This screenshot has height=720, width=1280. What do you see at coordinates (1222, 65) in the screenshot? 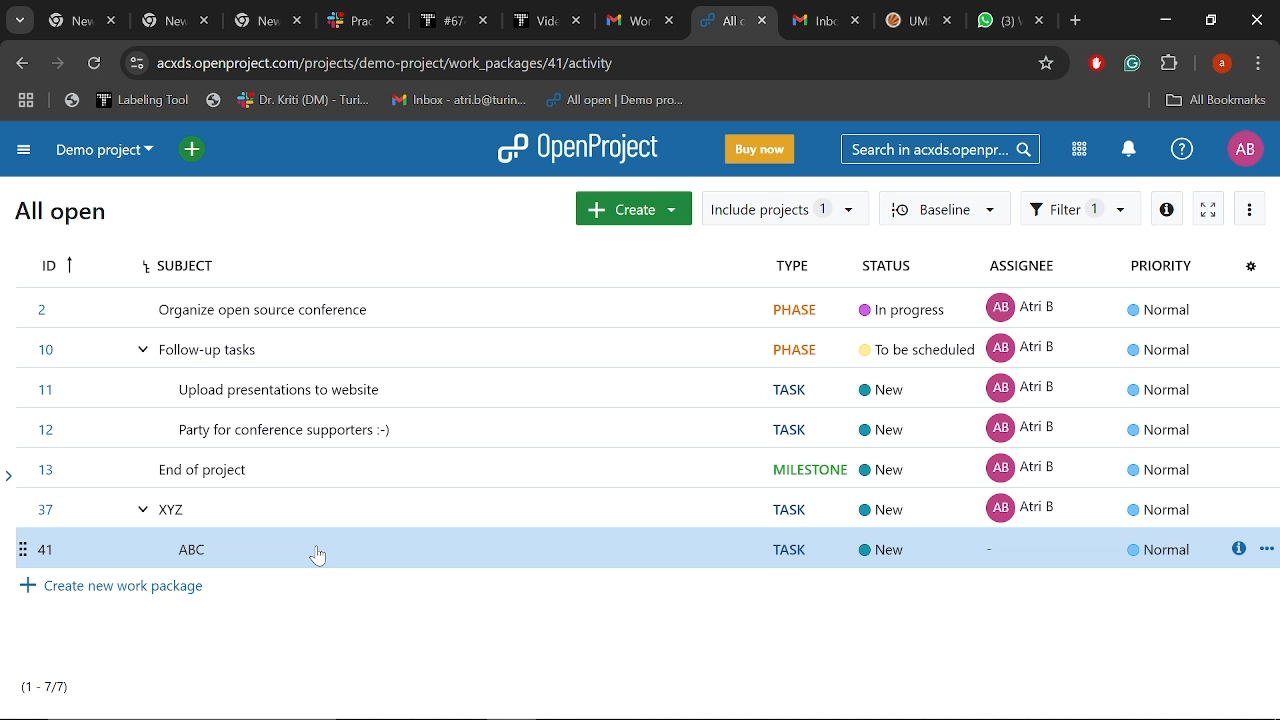
I see `Profile` at bounding box center [1222, 65].